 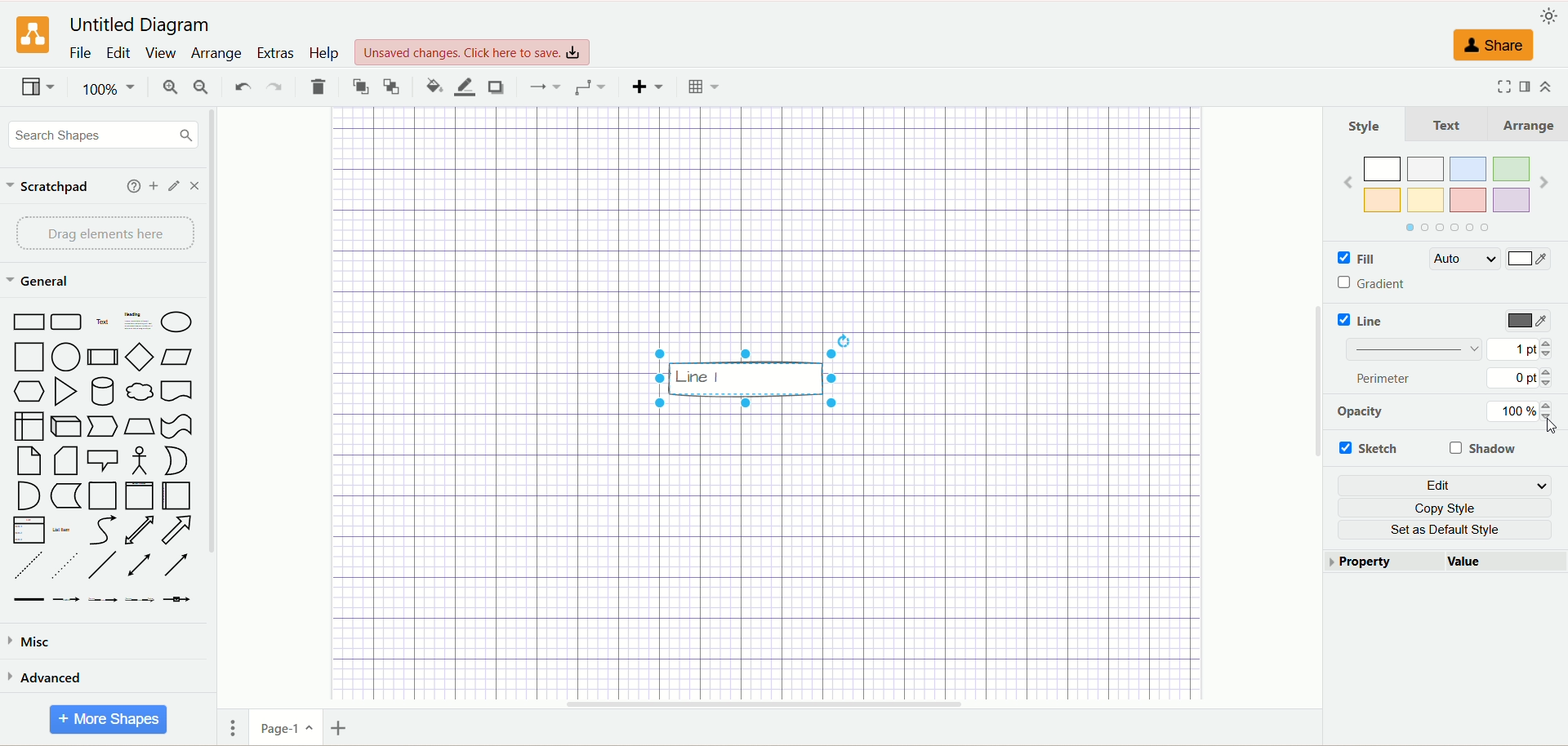 I want to click on file, so click(x=80, y=54).